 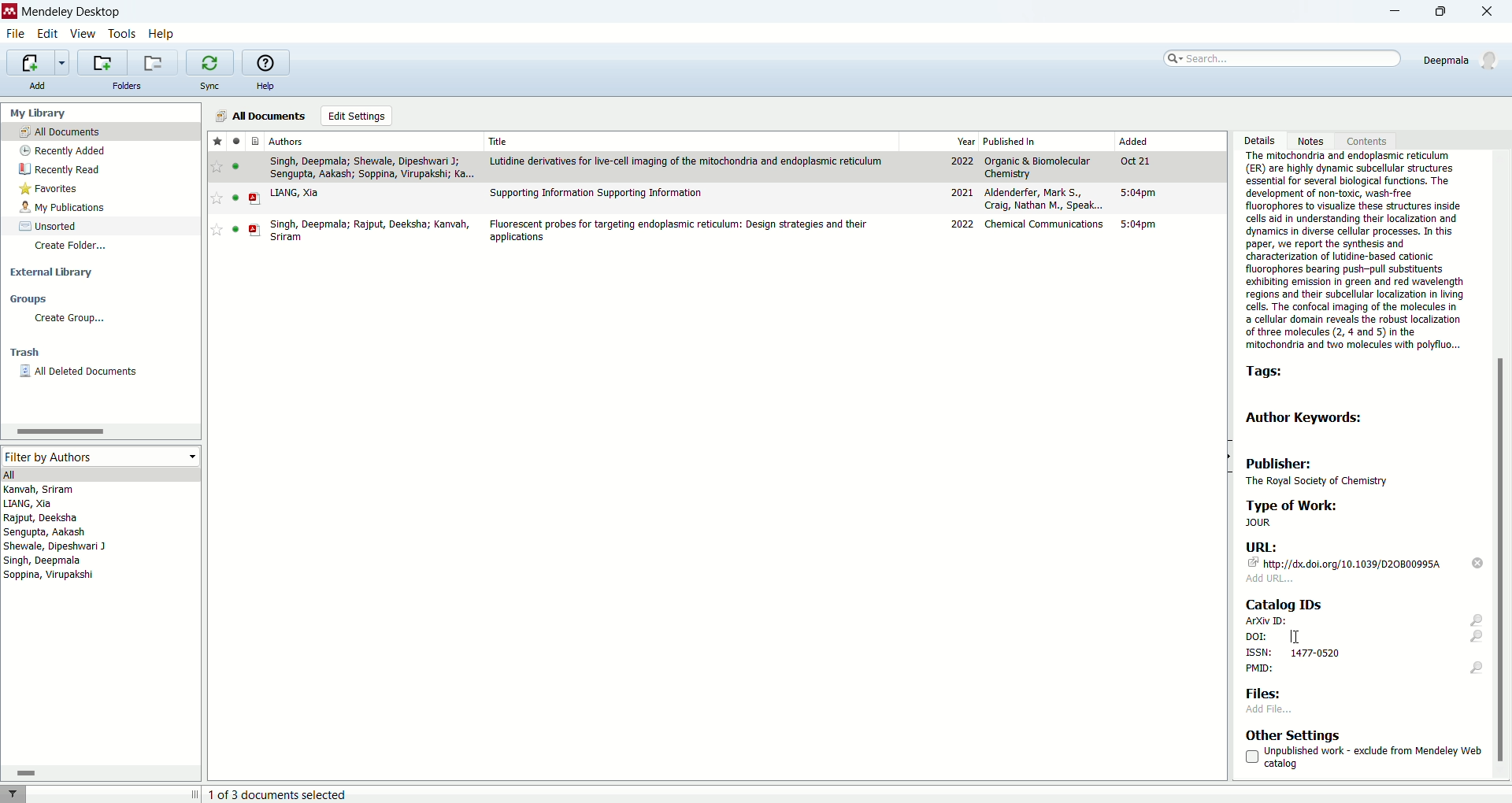 What do you see at coordinates (1325, 470) in the screenshot?
I see `publisher: the royal society of chemistry` at bounding box center [1325, 470].